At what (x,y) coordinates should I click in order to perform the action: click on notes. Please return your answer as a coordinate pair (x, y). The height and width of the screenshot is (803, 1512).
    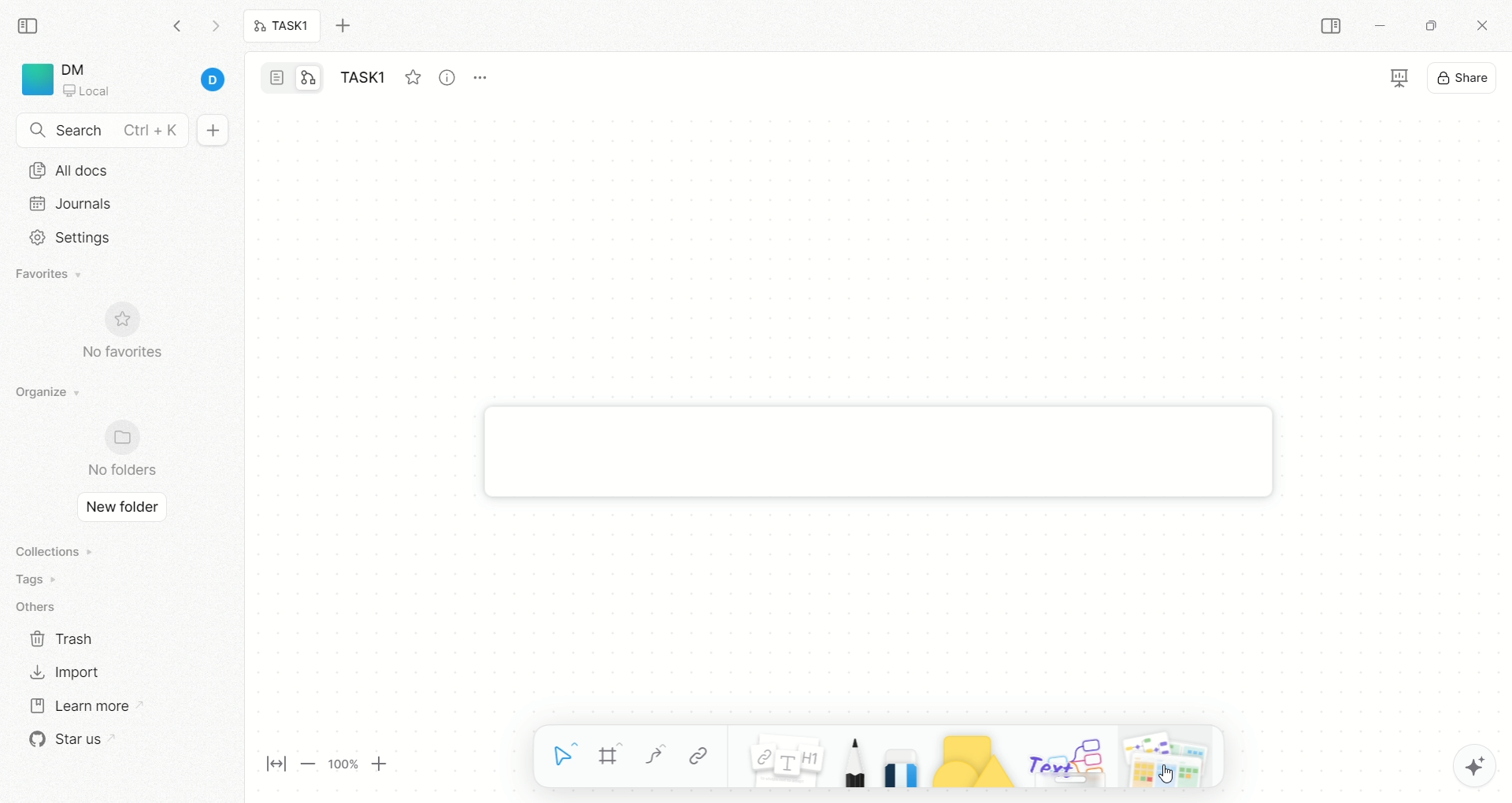
    Looking at the image, I should click on (777, 756).